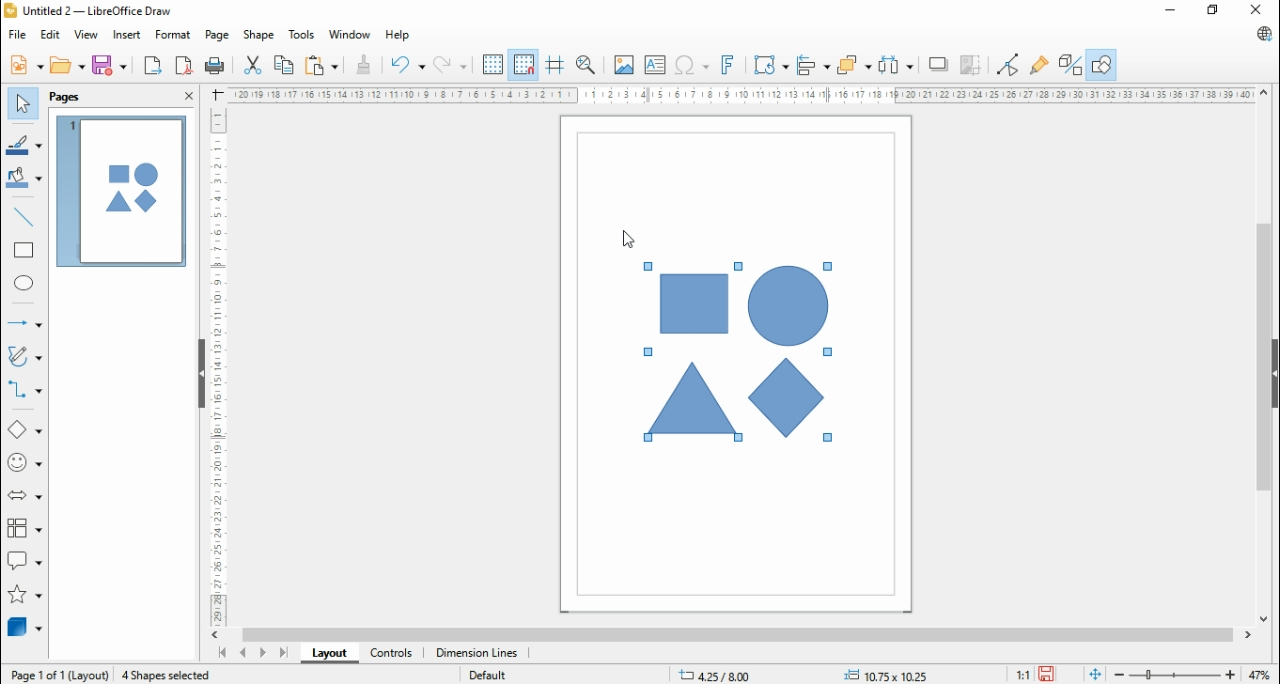  Describe the element at coordinates (325, 654) in the screenshot. I see `layout` at that location.